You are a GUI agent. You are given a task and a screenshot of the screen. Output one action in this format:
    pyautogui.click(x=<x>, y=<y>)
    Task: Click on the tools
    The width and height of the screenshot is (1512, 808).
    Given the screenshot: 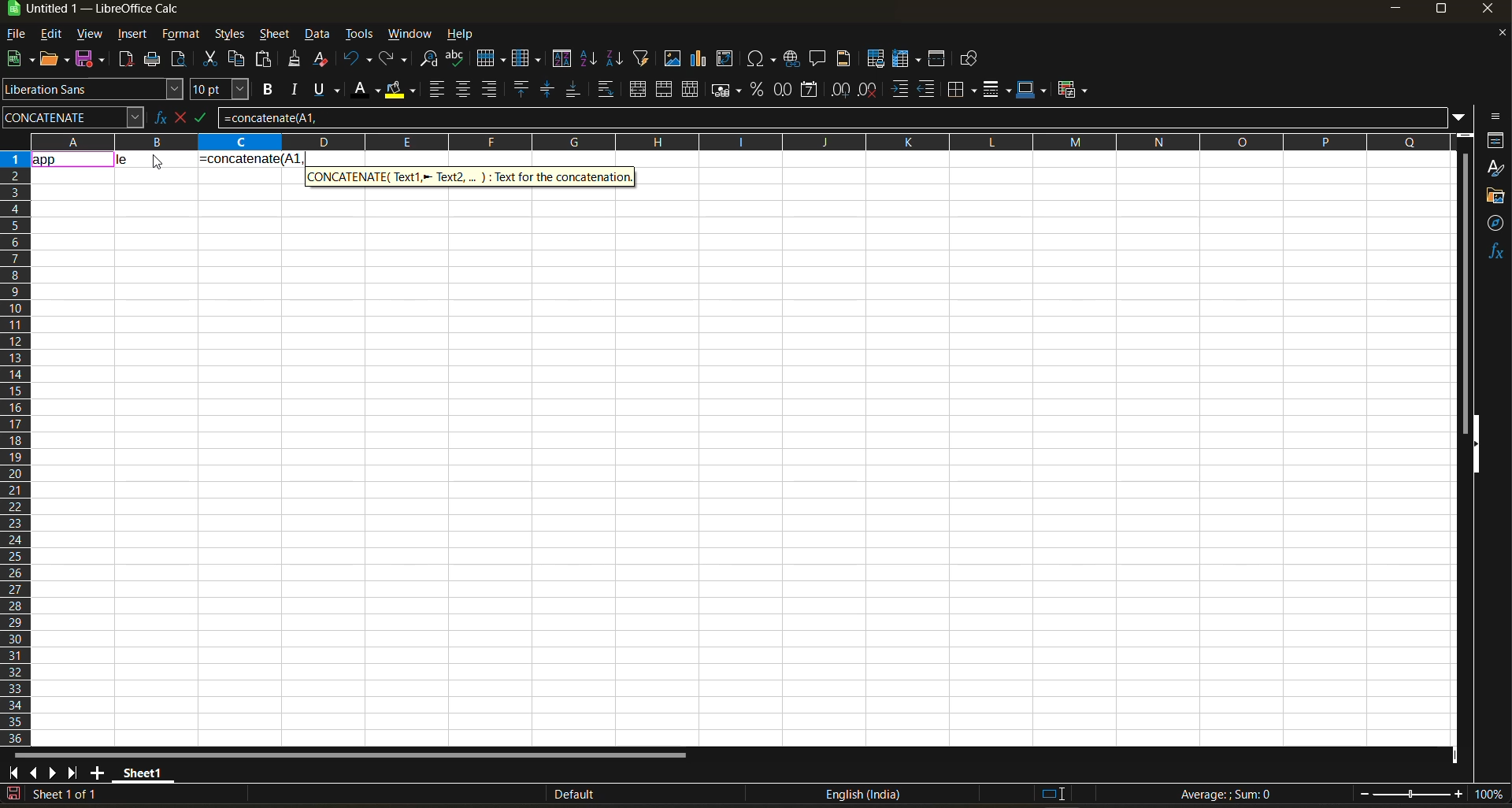 What is the action you would take?
    pyautogui.click(x=359, y=36)
    